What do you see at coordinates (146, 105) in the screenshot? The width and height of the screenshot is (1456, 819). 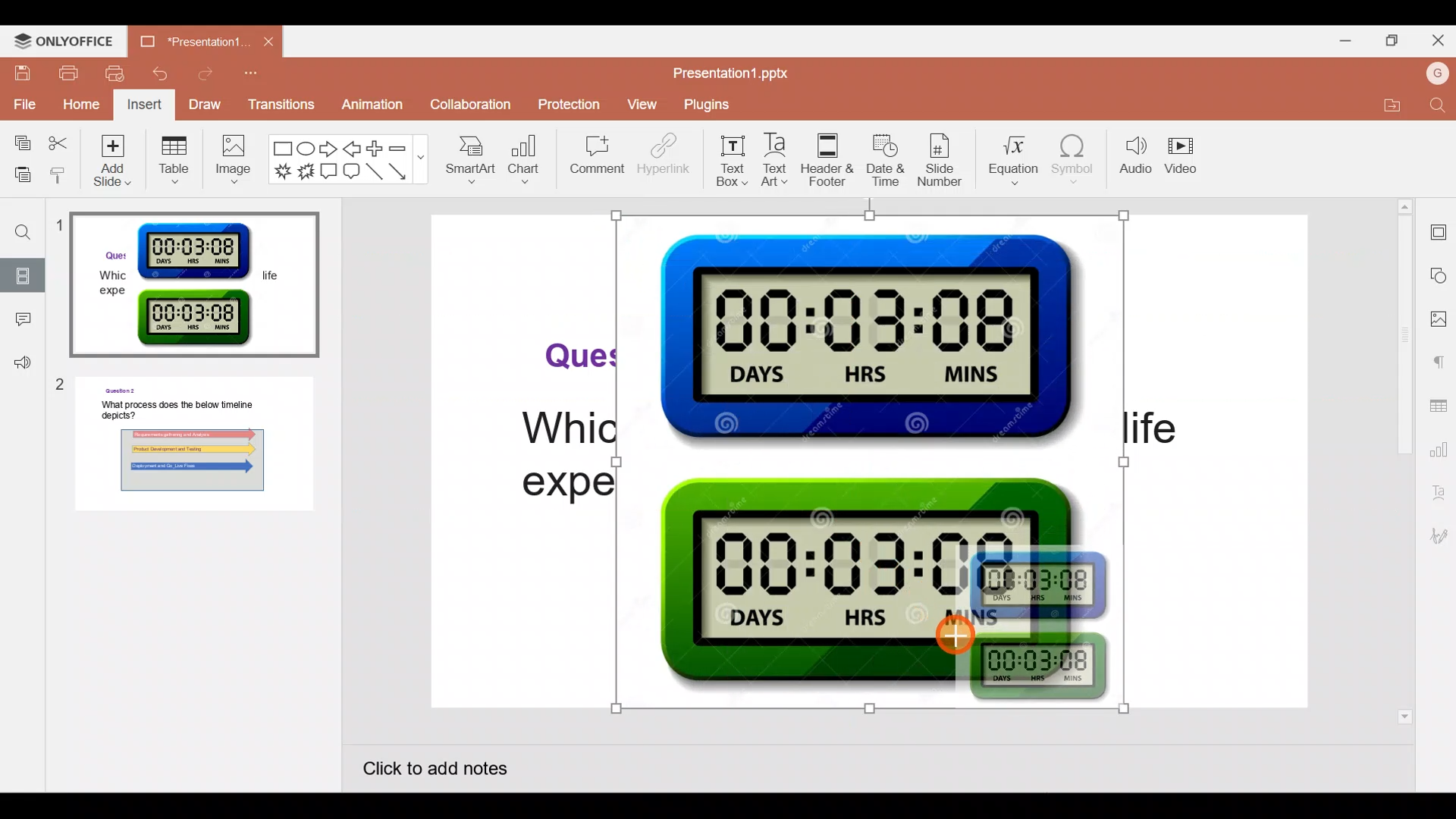 I see `Insert` at bounding box center [146, 105].